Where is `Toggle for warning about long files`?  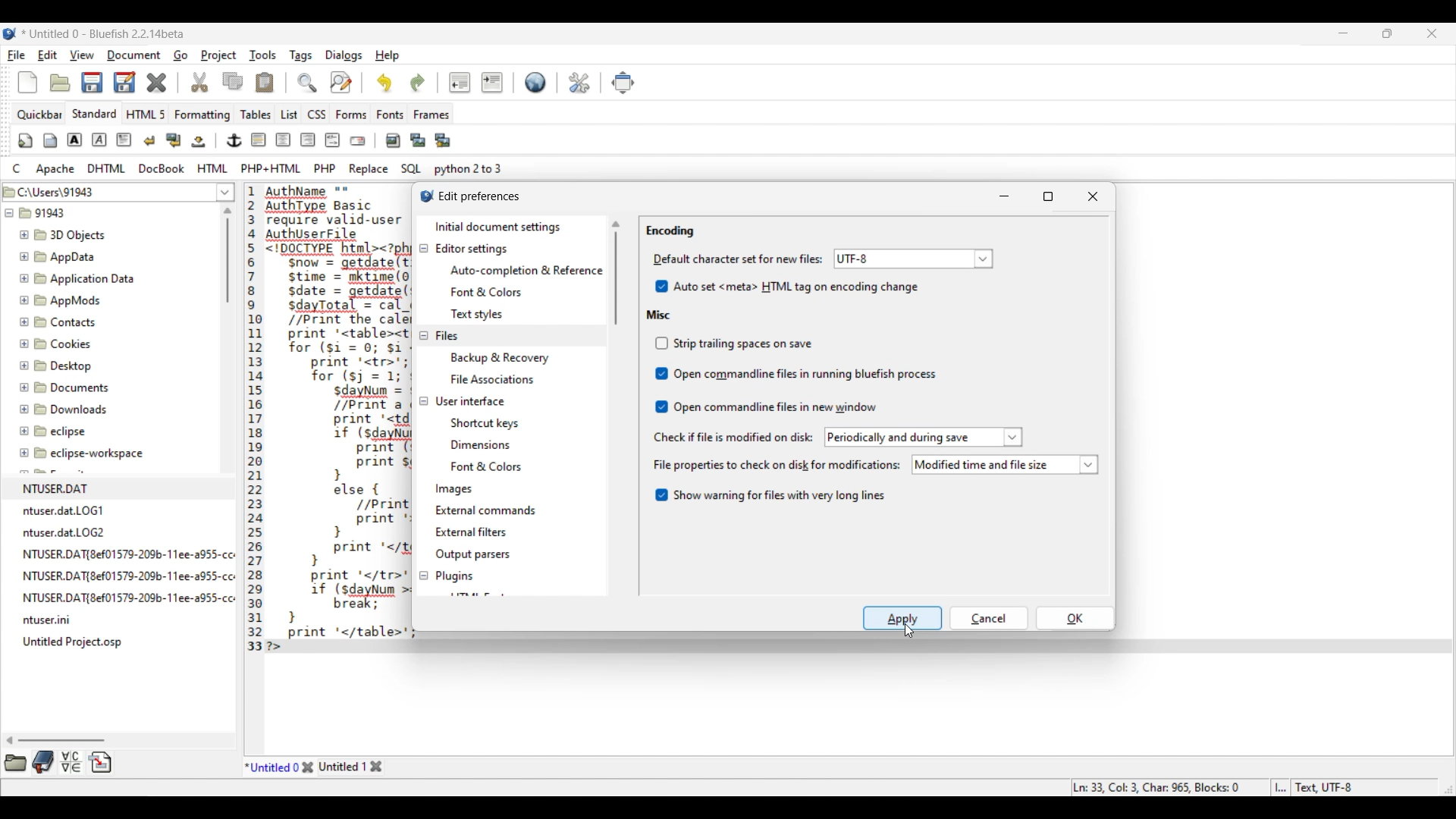 Toggle for warning about long files is located at coordinates (770, 494).